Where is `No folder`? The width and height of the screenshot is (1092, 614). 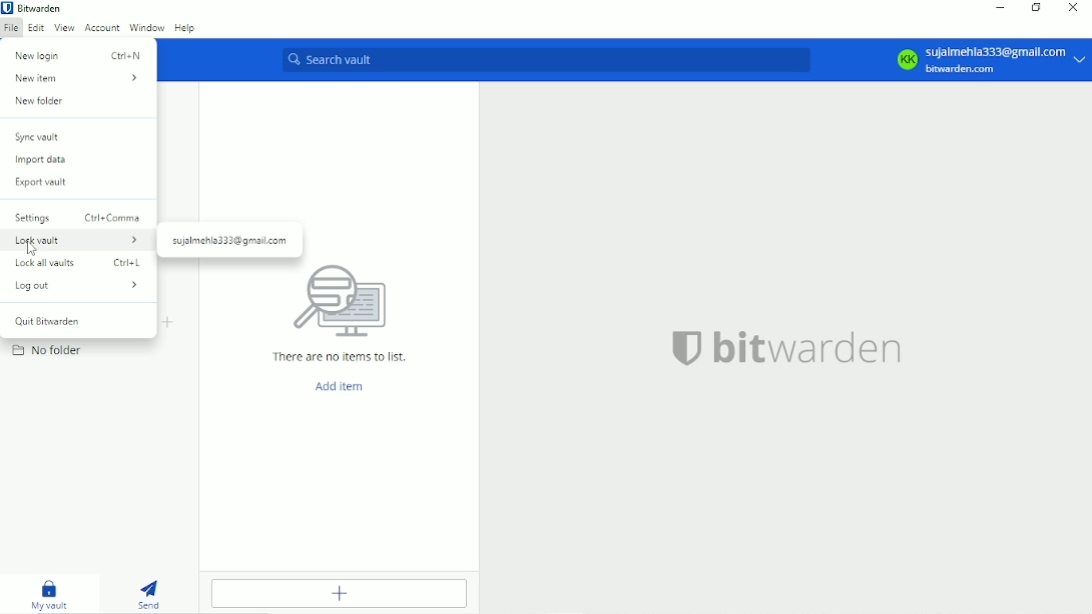
No folder is located at coordinates (49, 350).